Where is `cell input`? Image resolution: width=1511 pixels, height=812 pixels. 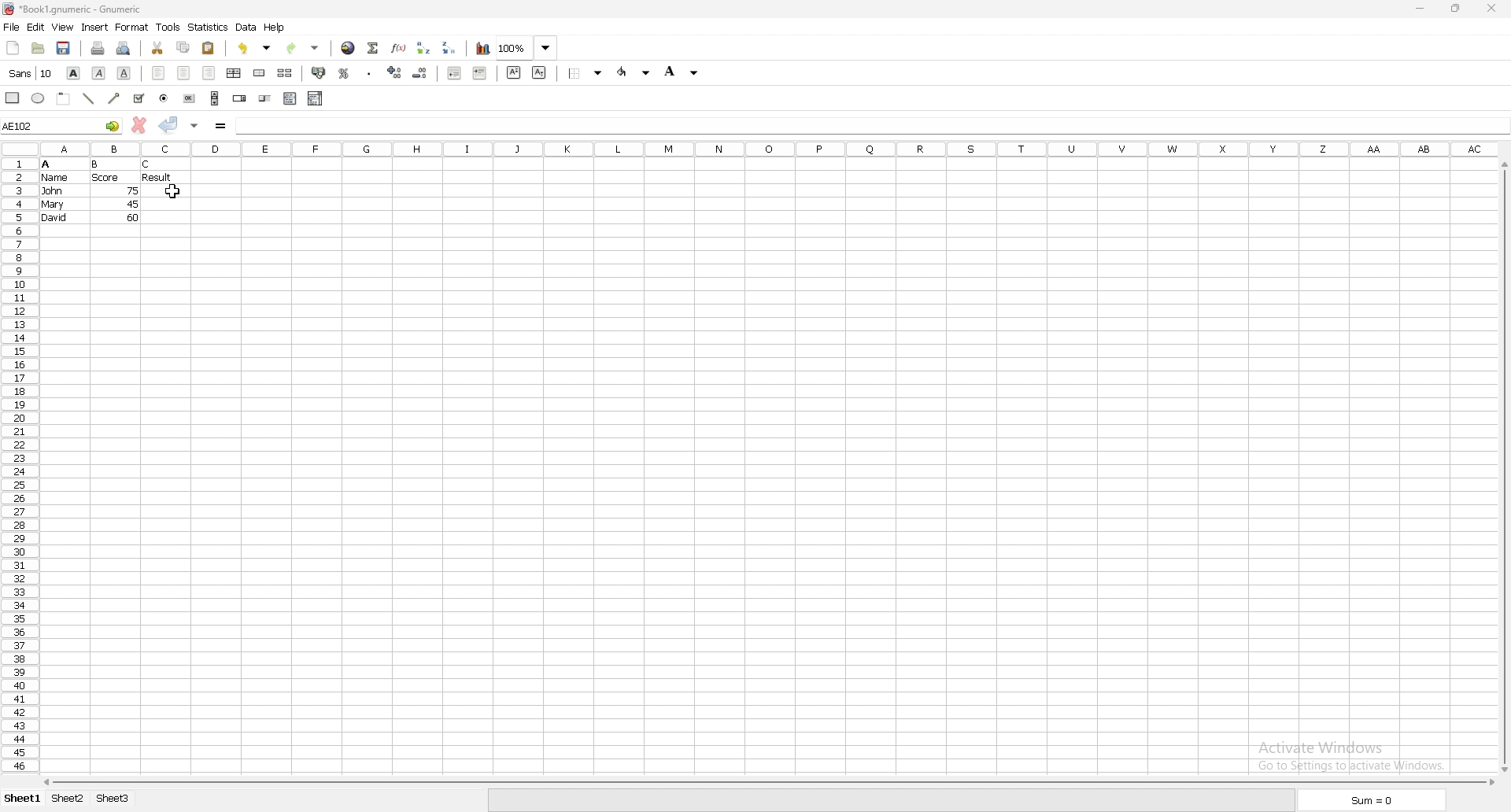
cell input is located at coordinates (874, 122).